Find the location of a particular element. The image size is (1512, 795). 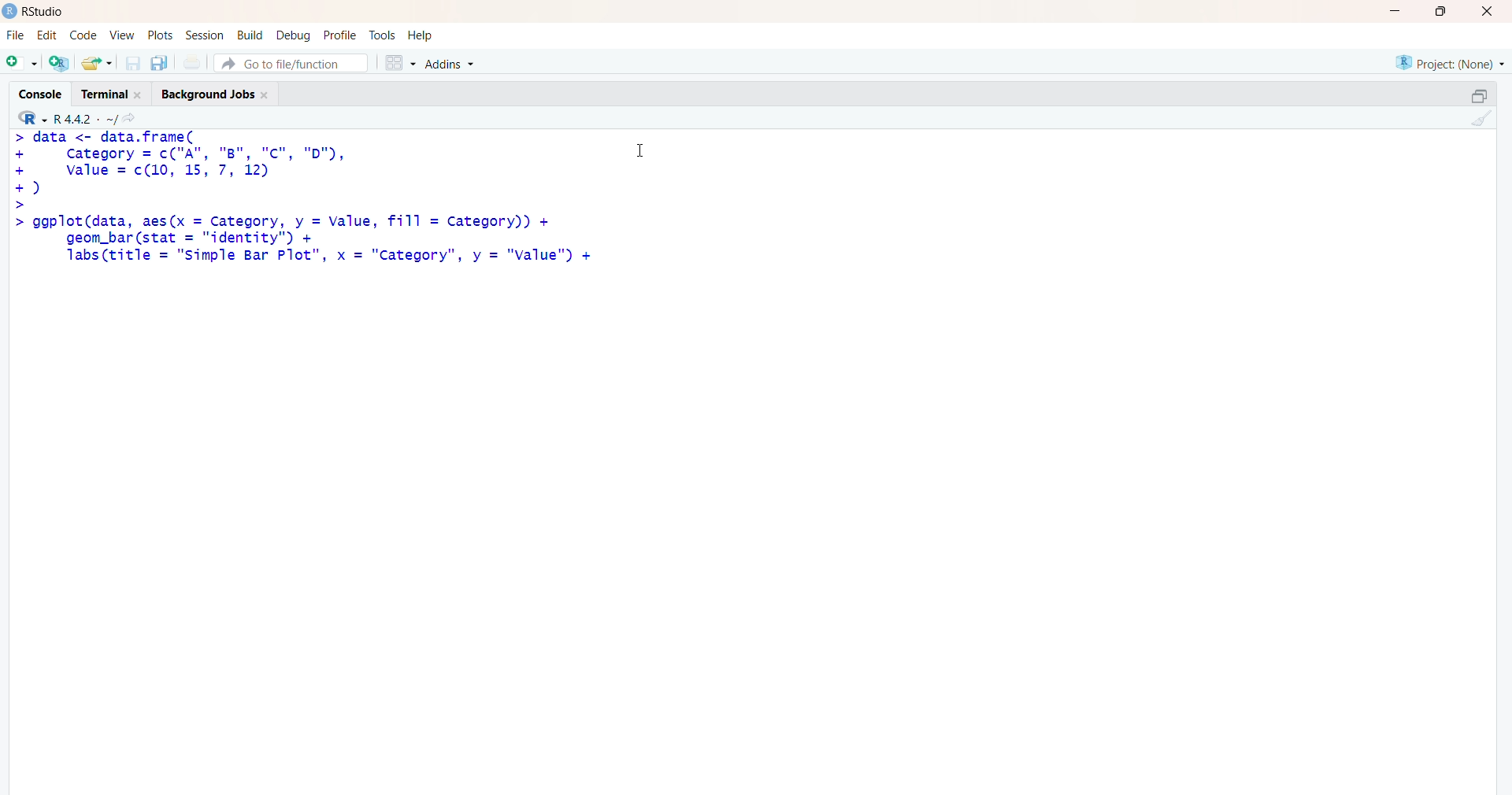

edit is located at coordinates (47, 35).